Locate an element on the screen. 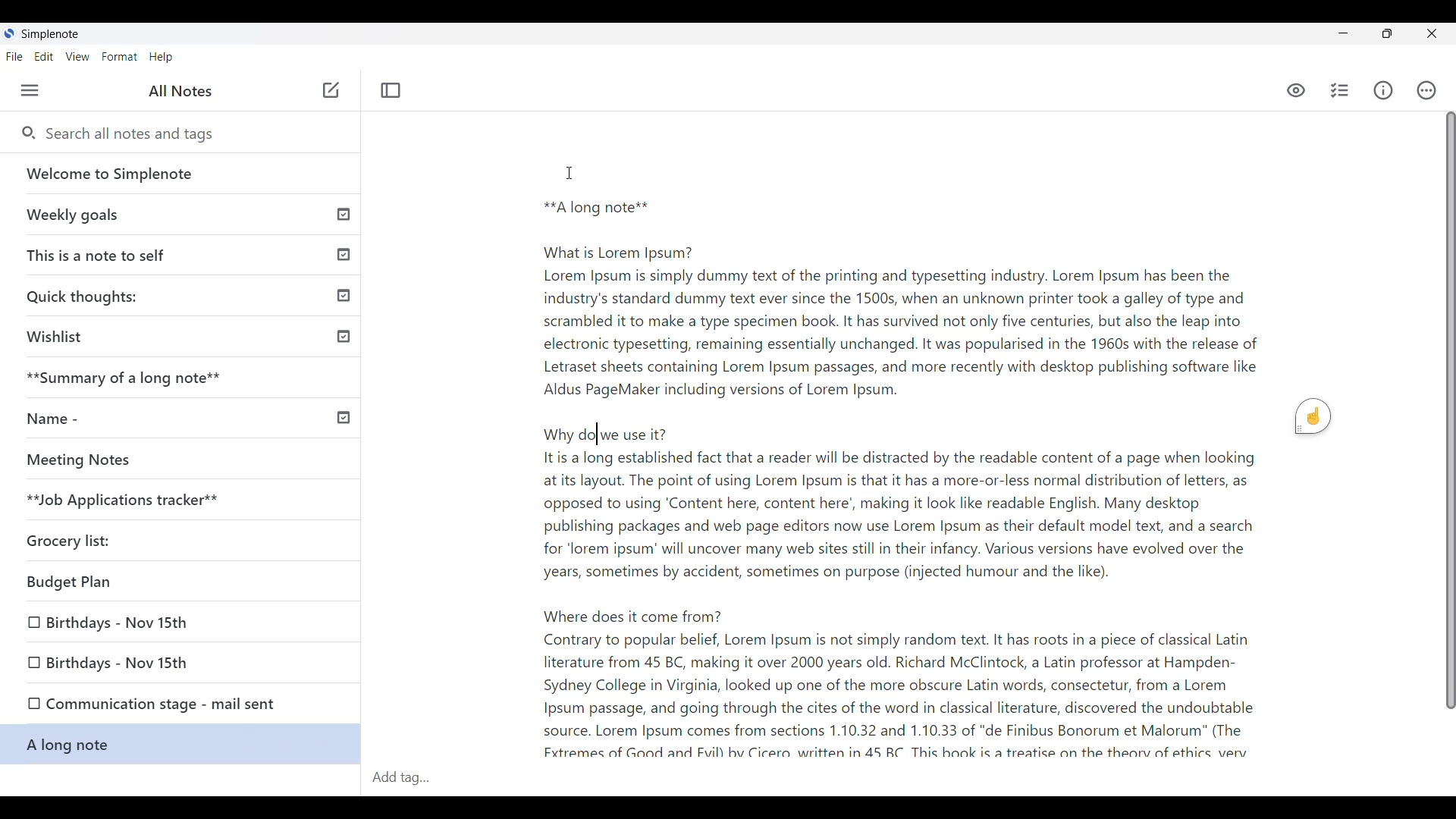 The height and width of the screenshot is (819, 1456). A long note is located at coordinates (179, 746).